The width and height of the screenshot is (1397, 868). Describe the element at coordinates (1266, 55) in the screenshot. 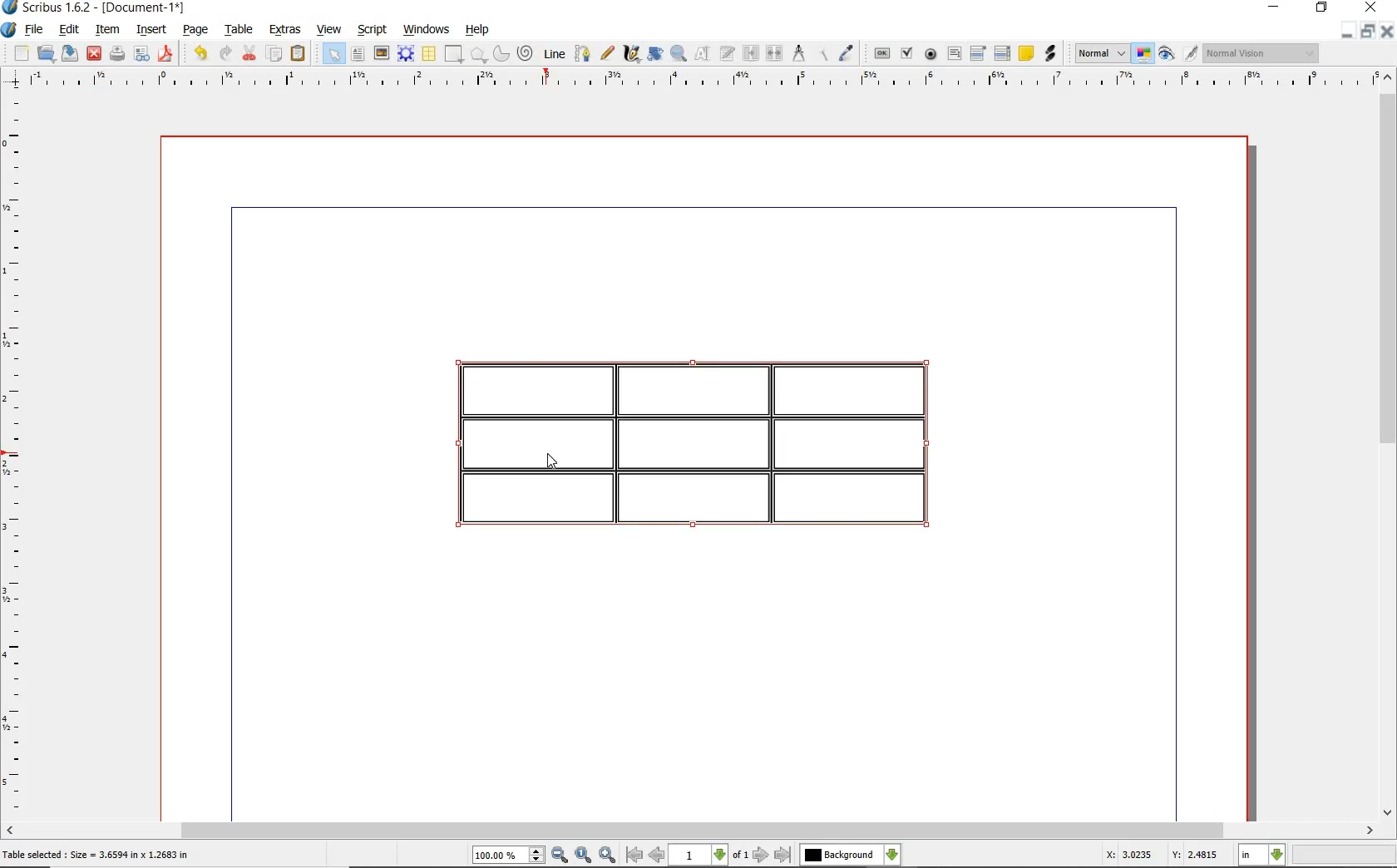

I see `visual appearance of the display` at that location.